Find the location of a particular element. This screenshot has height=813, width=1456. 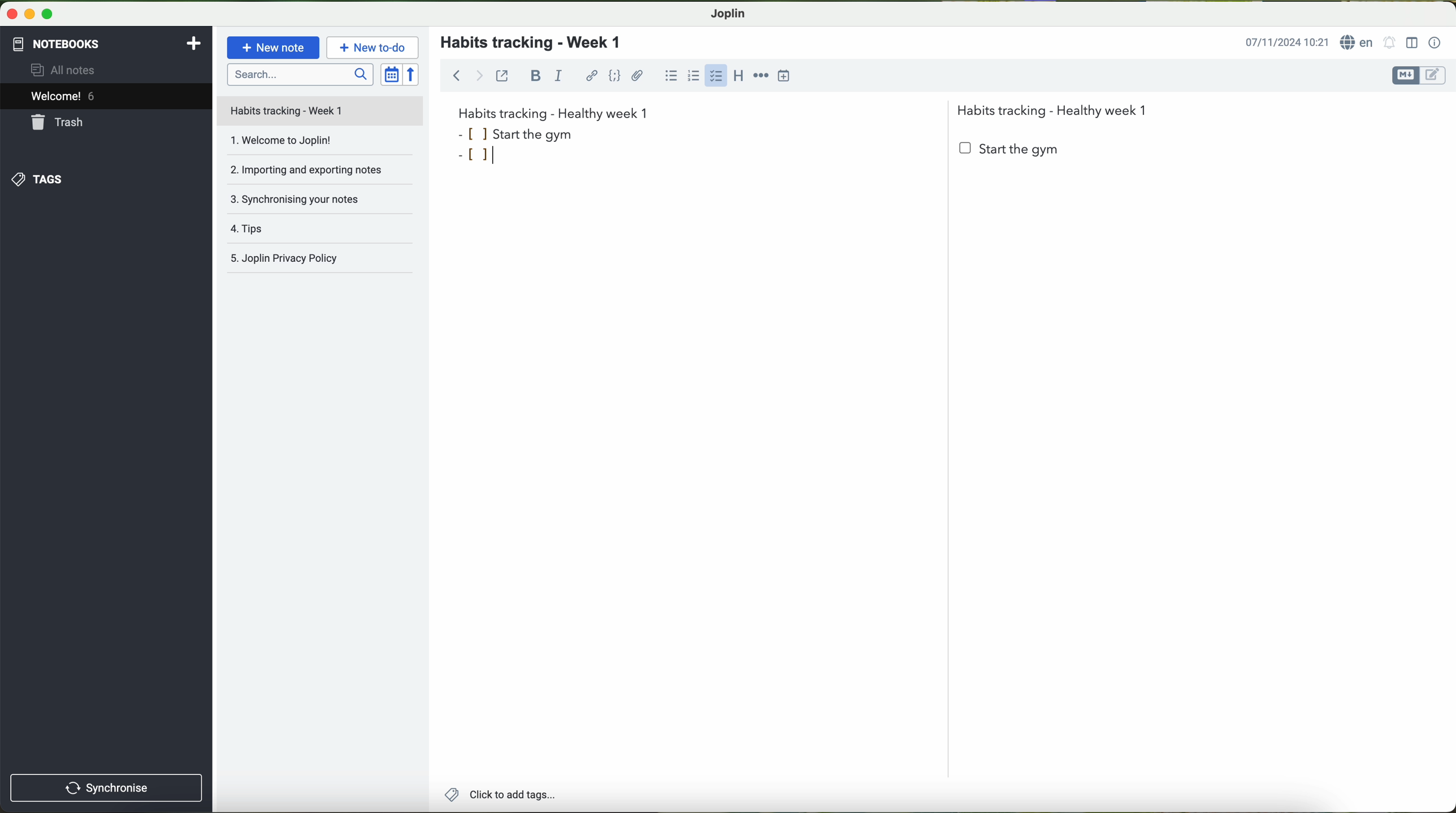

notebooks tab is located at coordinates (108, 44).